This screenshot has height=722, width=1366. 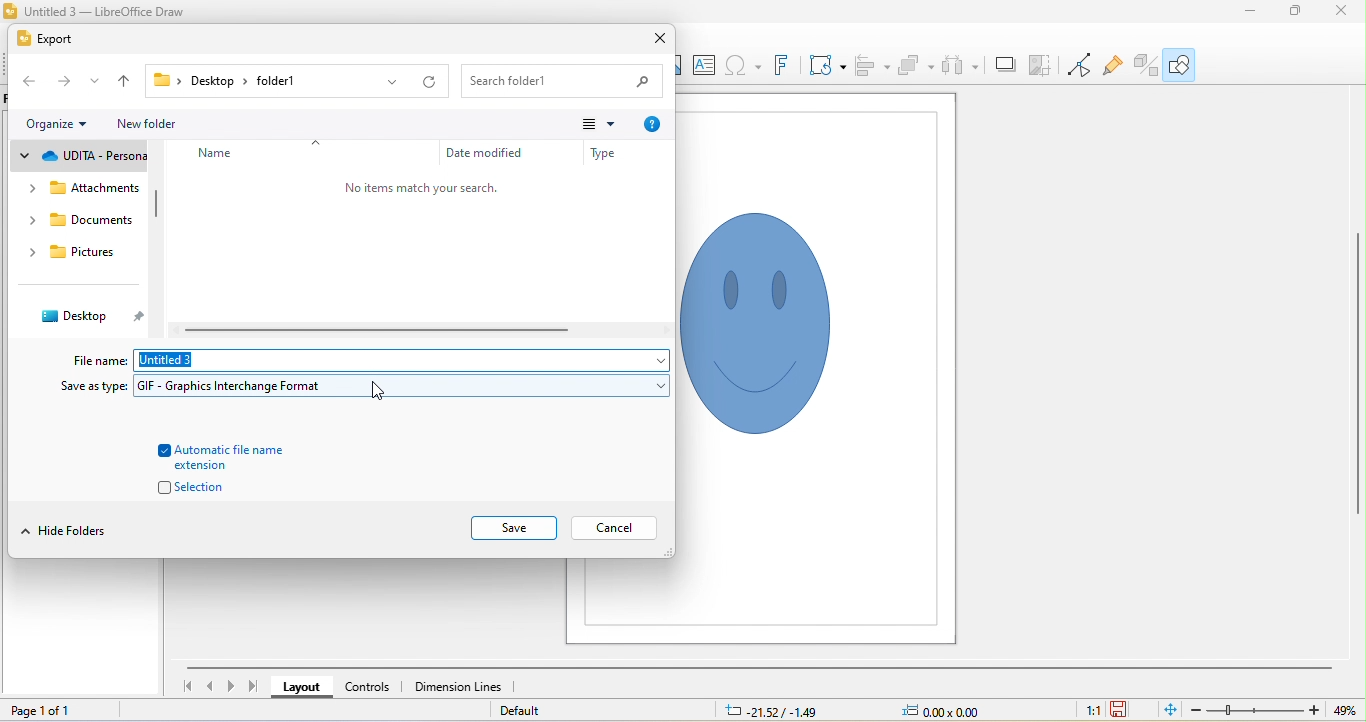 What do you see at coordinates (152, 125) in the screenshot?
I see `new folder` at bounding box center [152, 125].